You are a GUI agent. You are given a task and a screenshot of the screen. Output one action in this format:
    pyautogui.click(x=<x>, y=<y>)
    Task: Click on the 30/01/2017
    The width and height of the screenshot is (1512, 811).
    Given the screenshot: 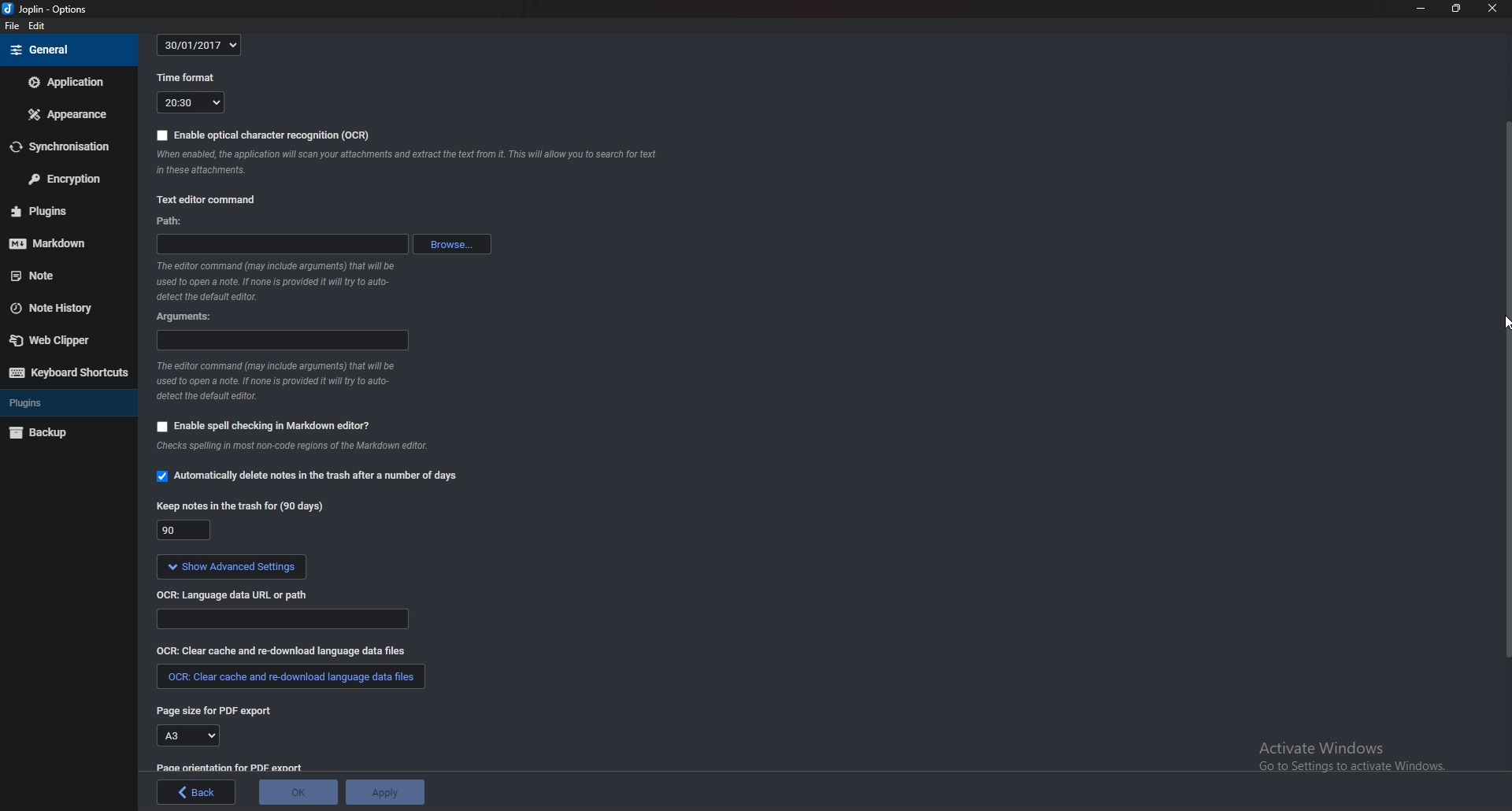 What is the action you would take?
    pyautogui.click(x=202, y=43)
    